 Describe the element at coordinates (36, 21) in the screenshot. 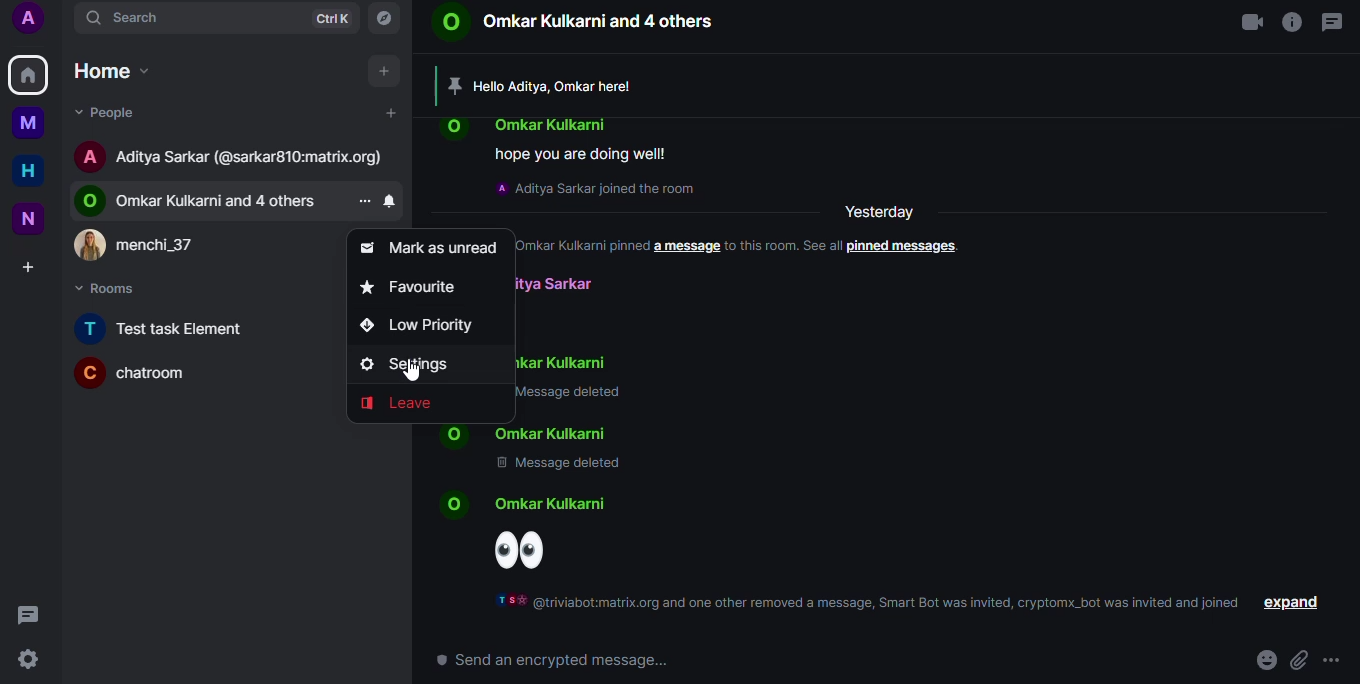

I see `A` at that location.